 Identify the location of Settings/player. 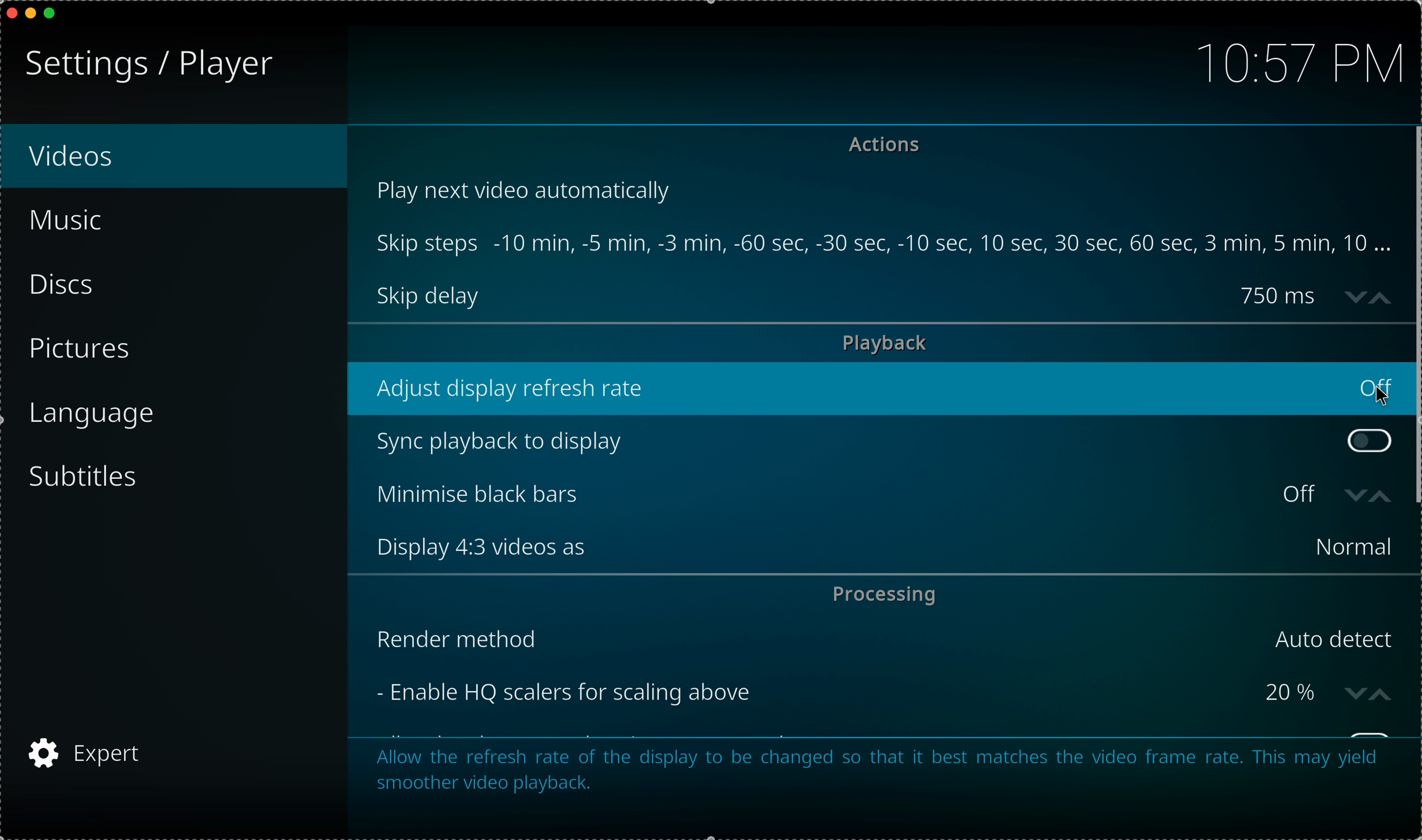
(145, 66).